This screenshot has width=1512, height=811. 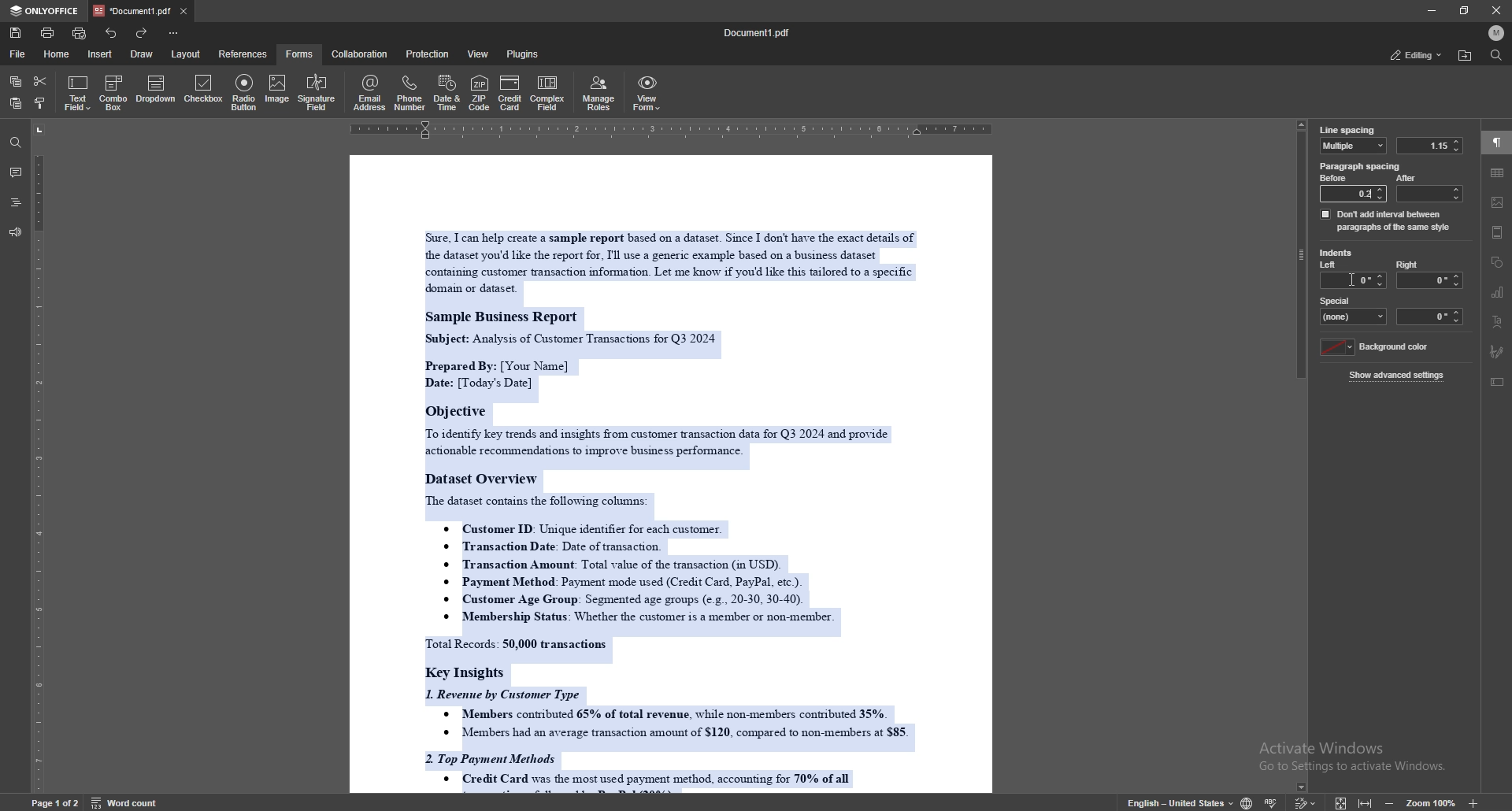 I want to click on file name, so click(x=758, y=33).